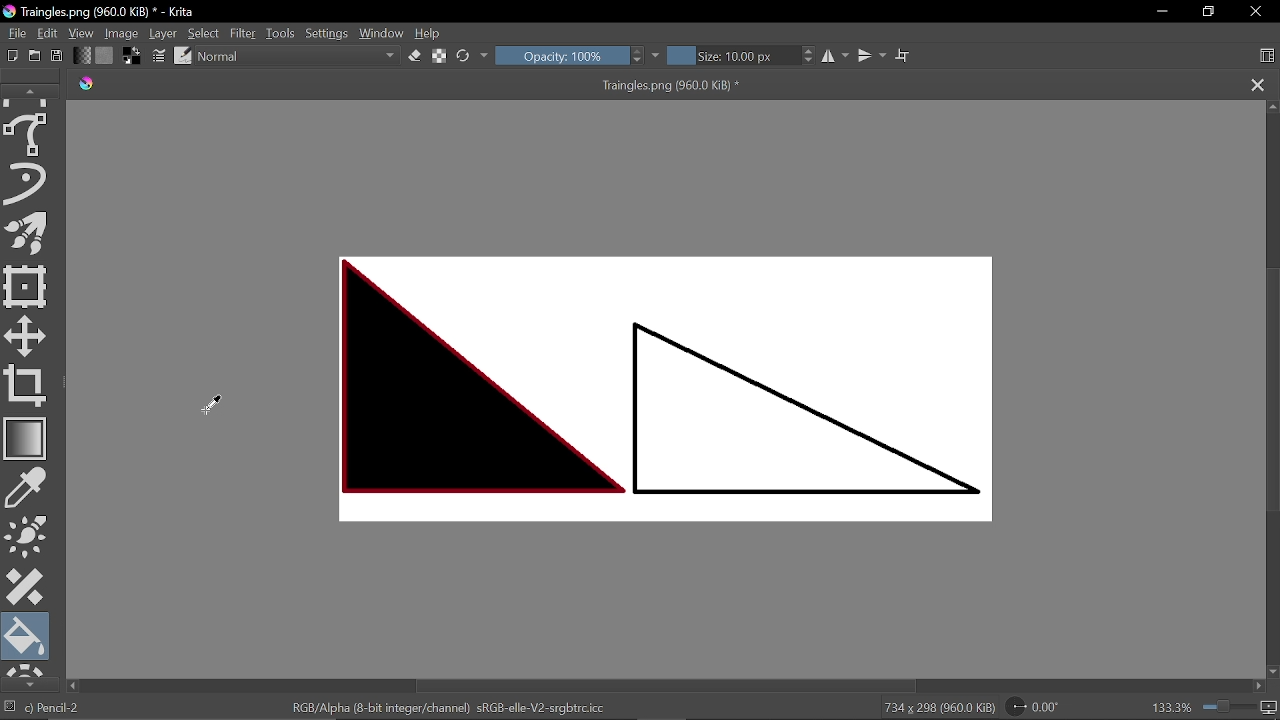  I want to click on Move left, so click(74, 686).